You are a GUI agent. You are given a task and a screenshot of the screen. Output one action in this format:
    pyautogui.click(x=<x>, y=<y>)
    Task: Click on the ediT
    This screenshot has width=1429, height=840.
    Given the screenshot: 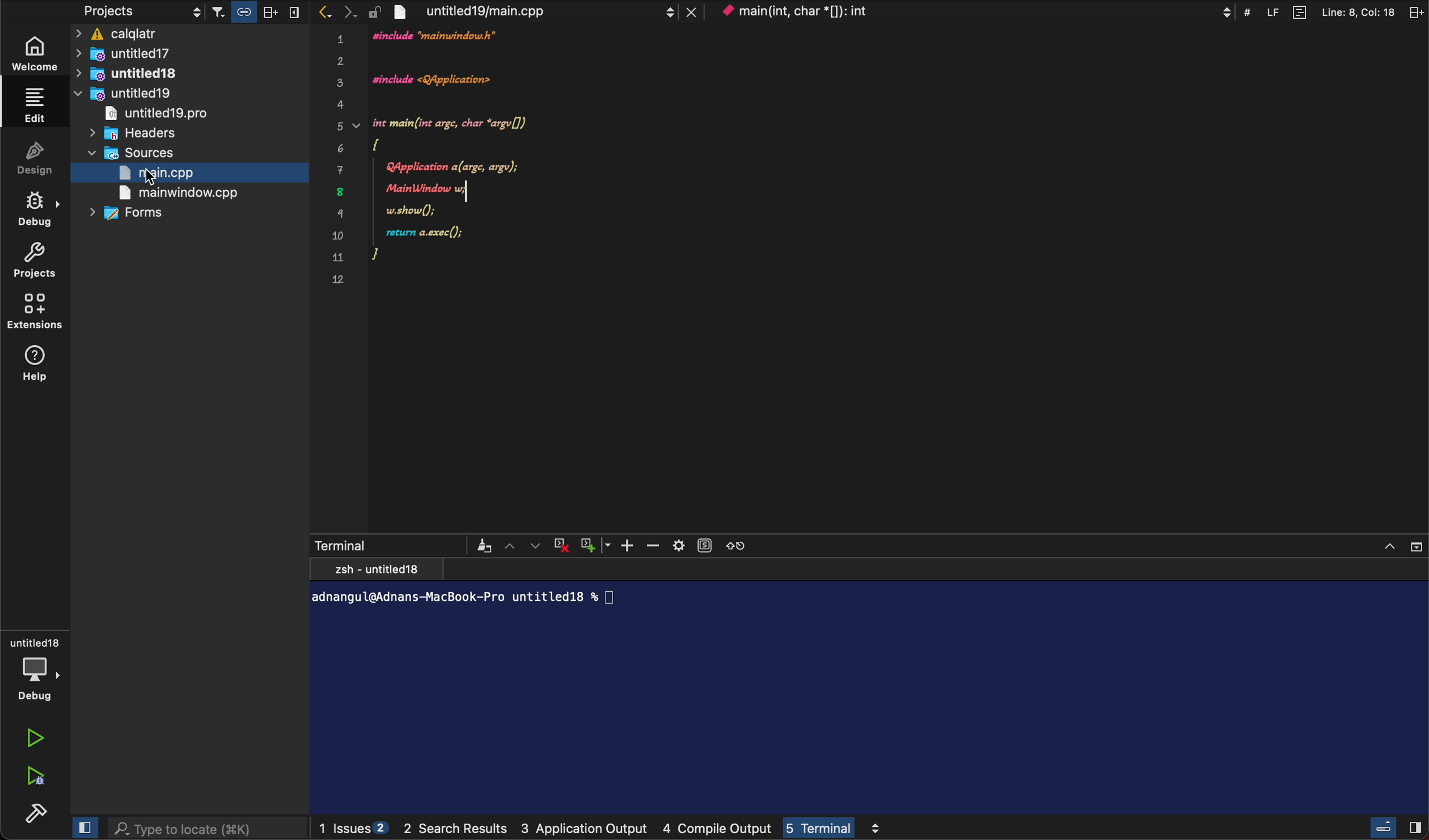 What is the action you would take?
    pyautogui.click(x=36, y=104)
    